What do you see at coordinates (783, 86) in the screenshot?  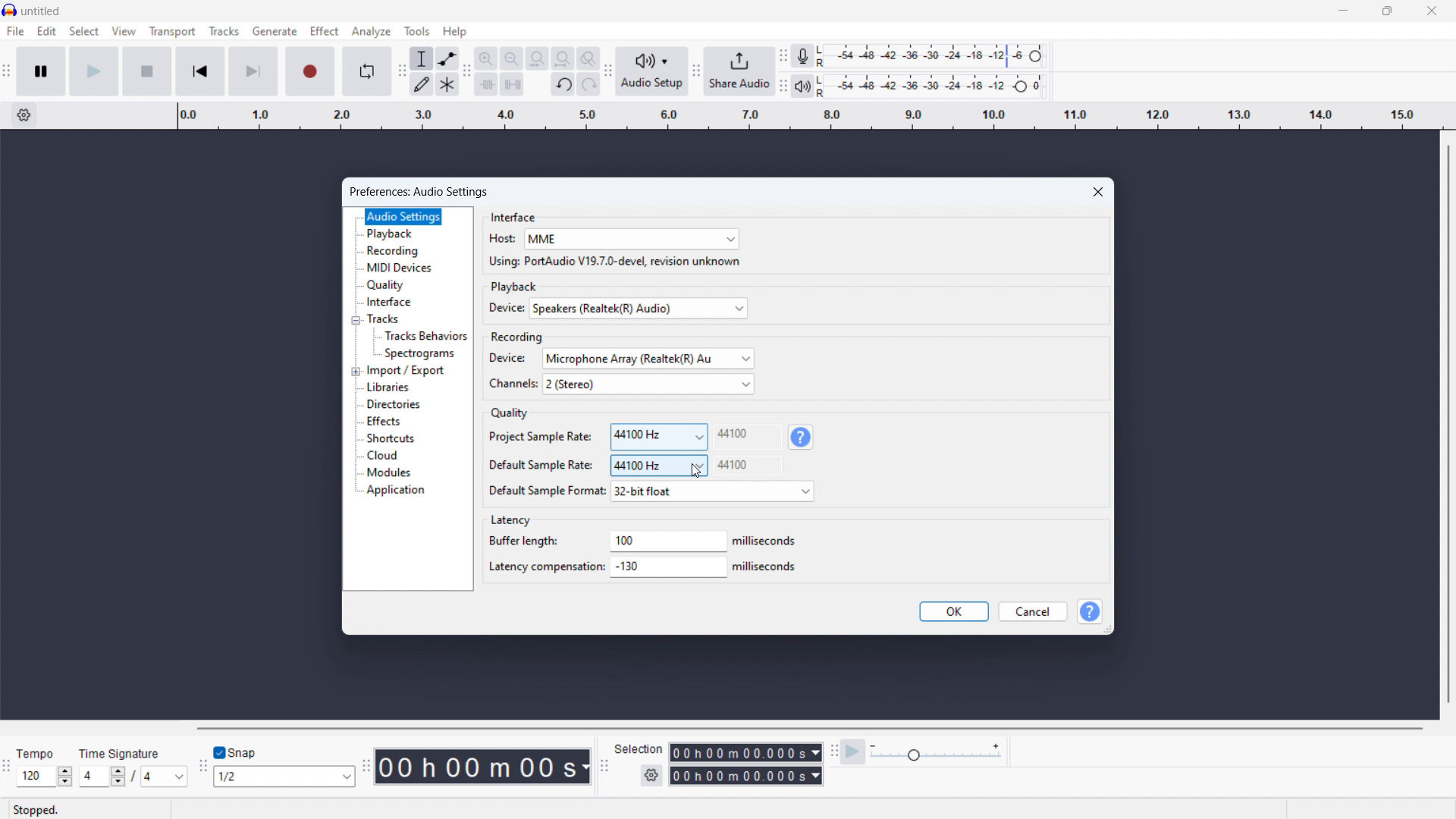 I see `playback meter toolbar` at bounding box center [783, 86].